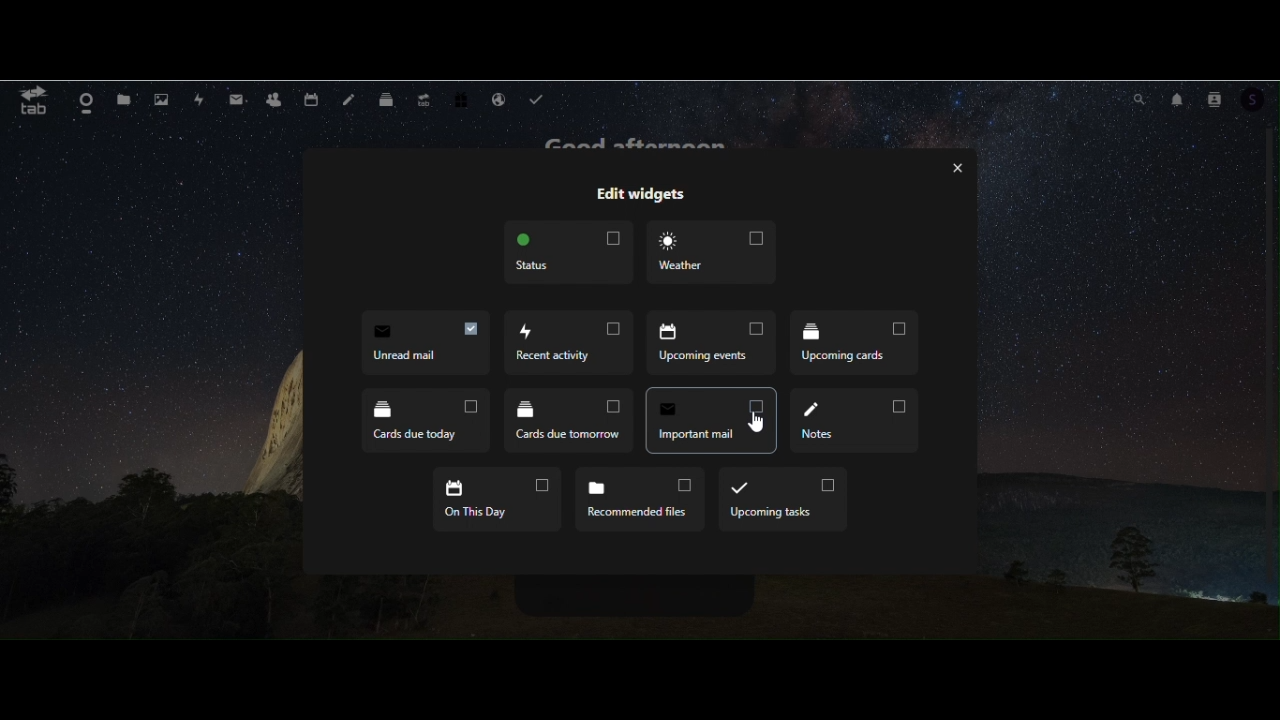  What do you see at coordinates (348, 98) in the screenshot?
I see `notes` at bounding box center [348, 98].